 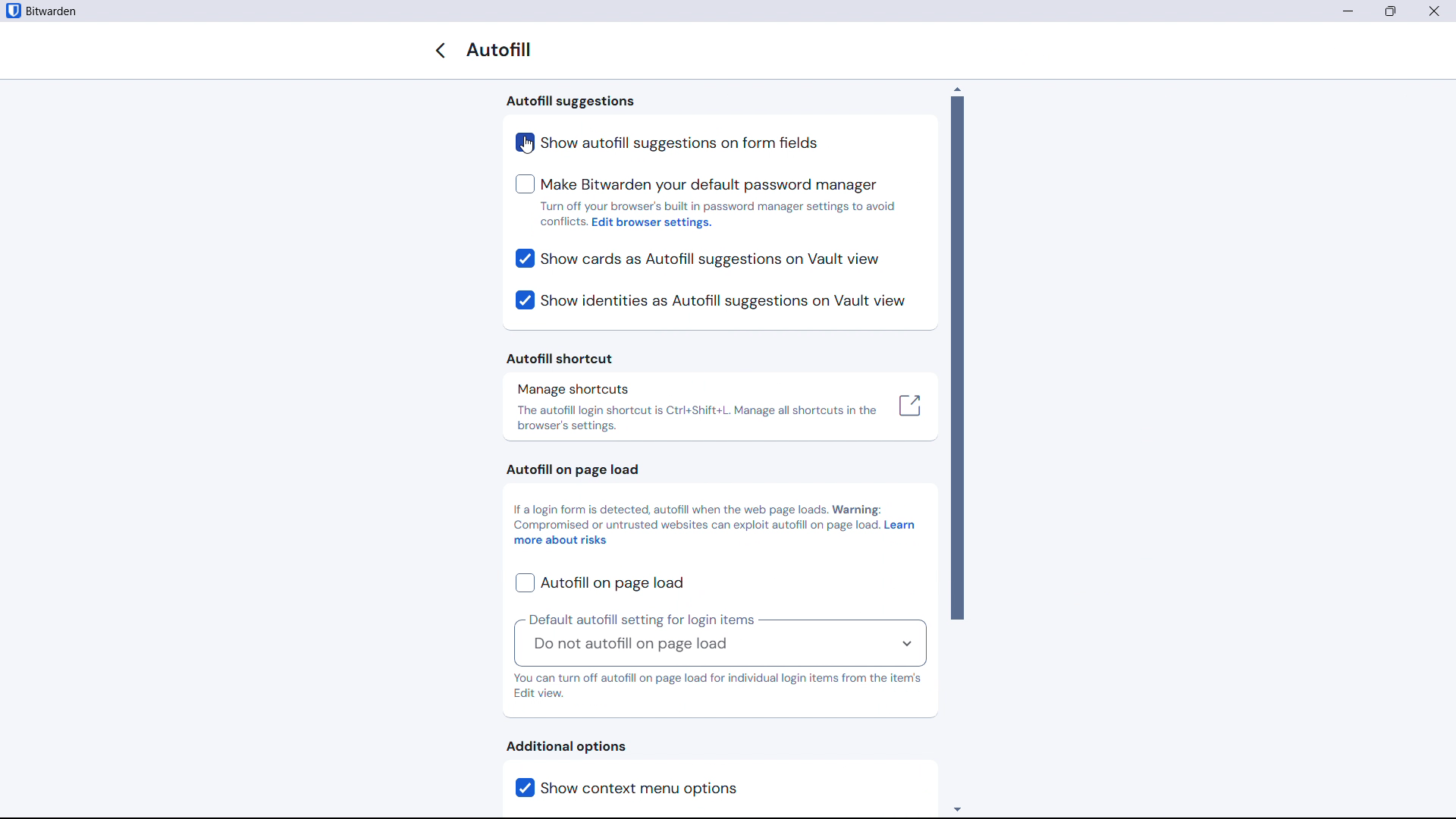 I want to click on Auto fill on page load , so click(x=599, y=583).